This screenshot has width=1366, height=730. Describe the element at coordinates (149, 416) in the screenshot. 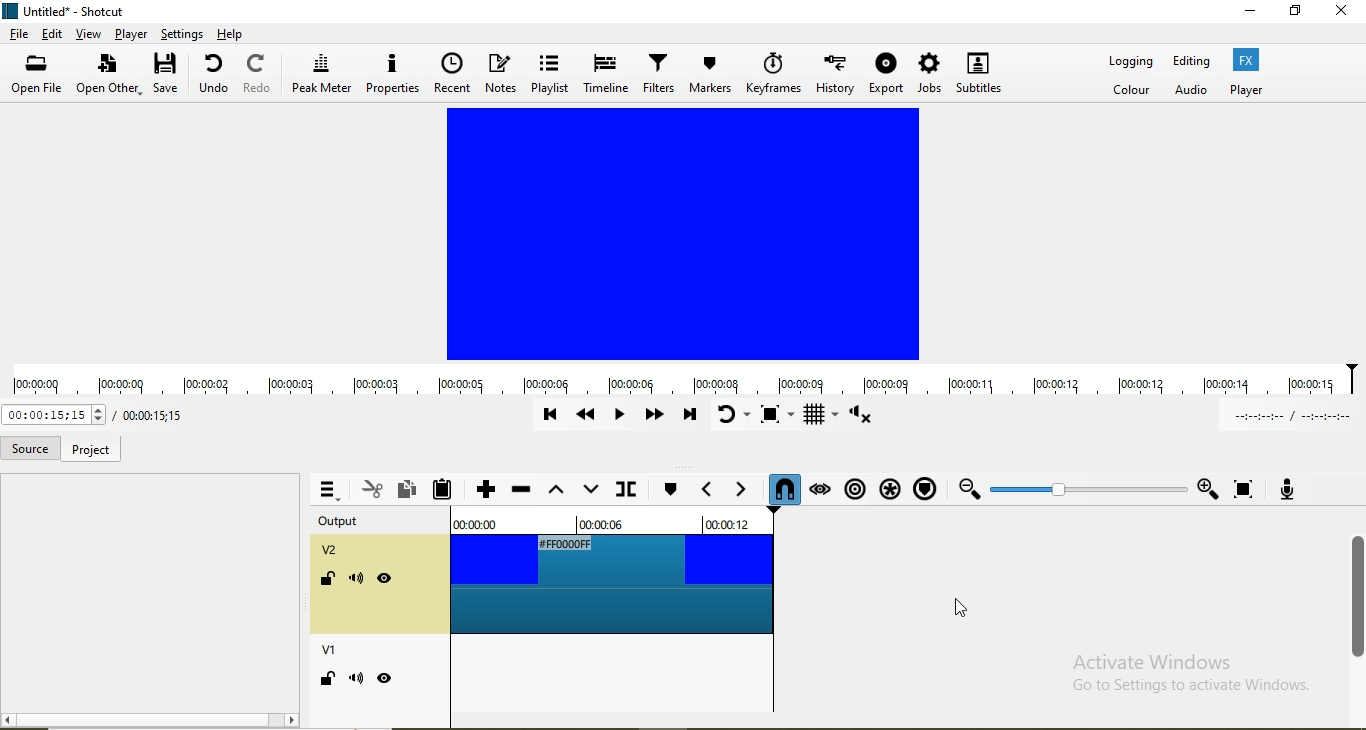

I see `Current position` at that location.